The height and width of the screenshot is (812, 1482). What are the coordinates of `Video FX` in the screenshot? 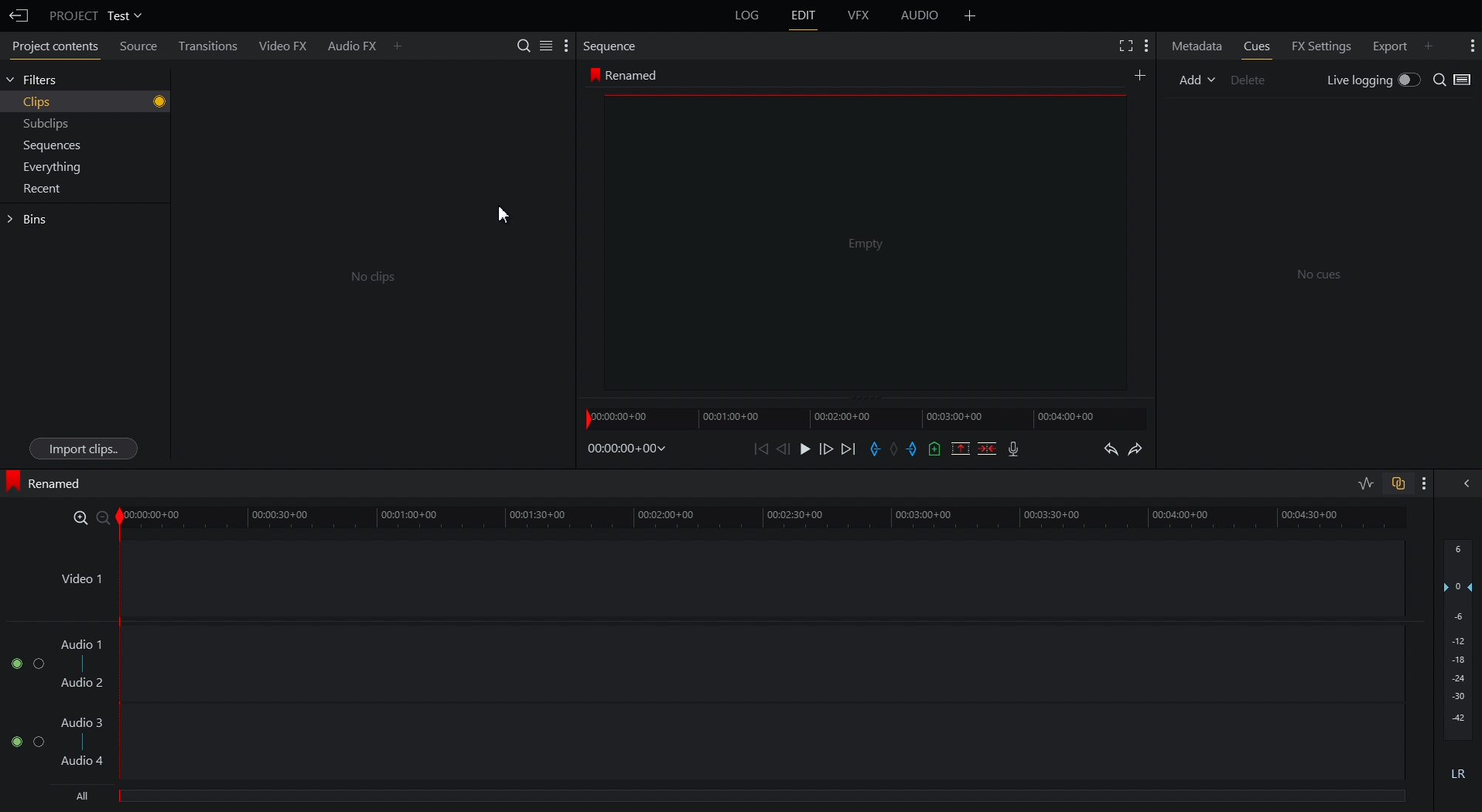 It's located at (285, 44).